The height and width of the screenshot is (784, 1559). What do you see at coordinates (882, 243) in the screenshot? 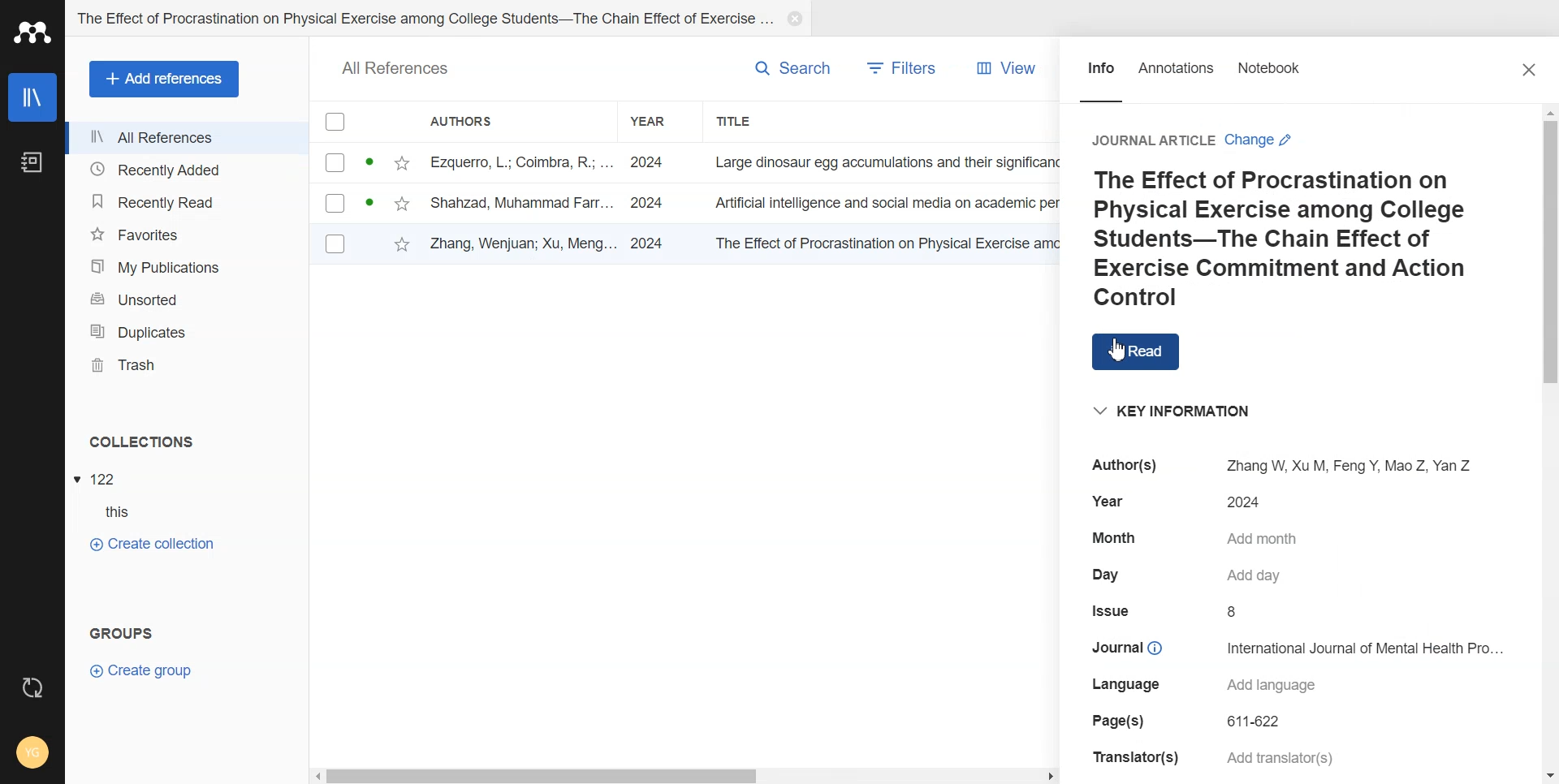
I see `text` at bounding box center [882, 243].